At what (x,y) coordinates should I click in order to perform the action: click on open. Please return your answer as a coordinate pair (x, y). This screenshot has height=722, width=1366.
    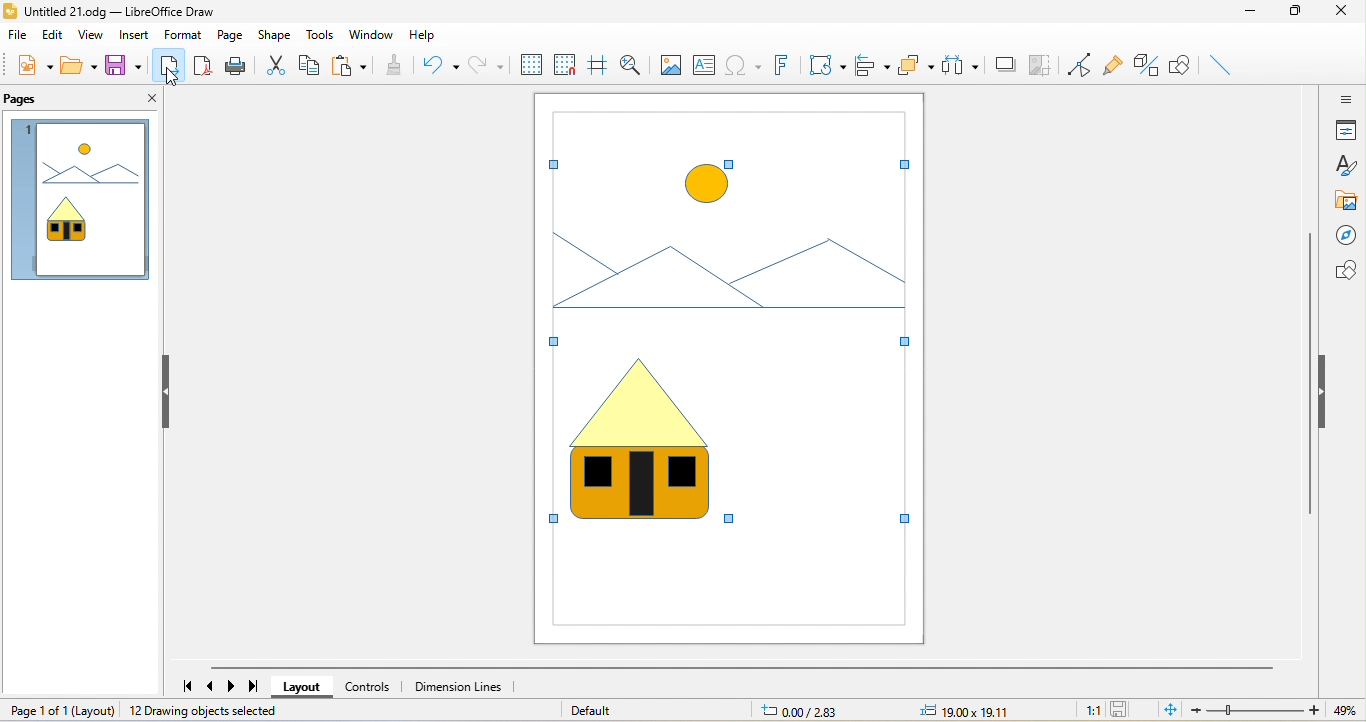
    Looking at the image, I should click on (79, 66).